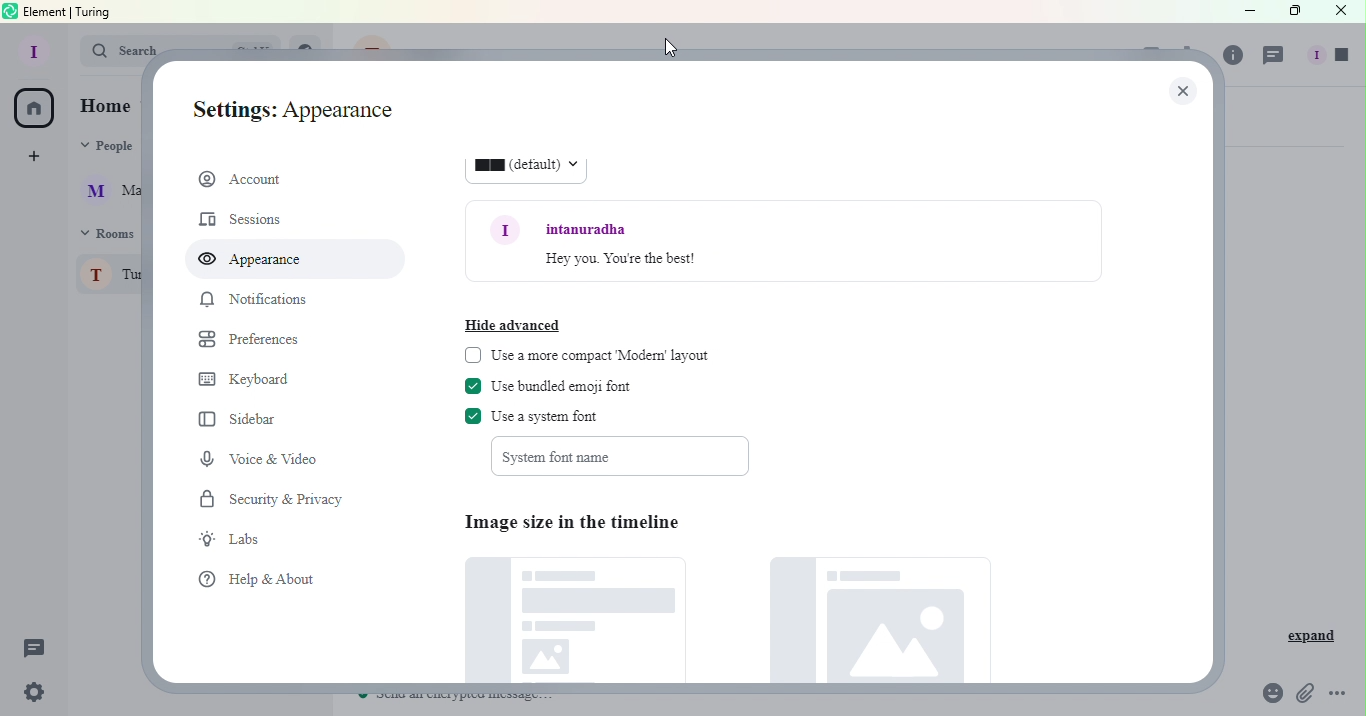 This screenshot has height=716, width=1366. I want to click on Sidebar, so click(249, 421).